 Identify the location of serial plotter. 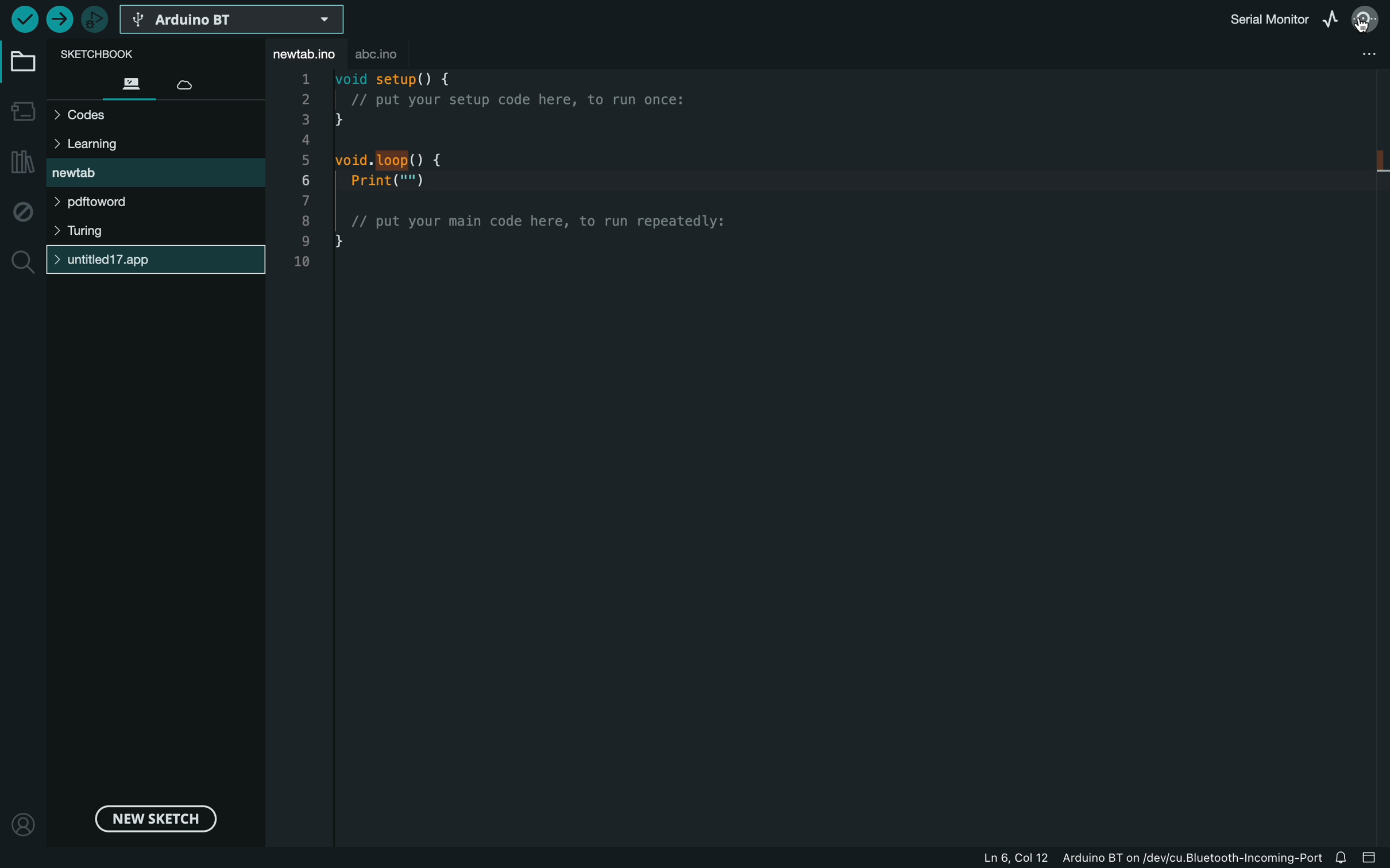
(1331, 17).